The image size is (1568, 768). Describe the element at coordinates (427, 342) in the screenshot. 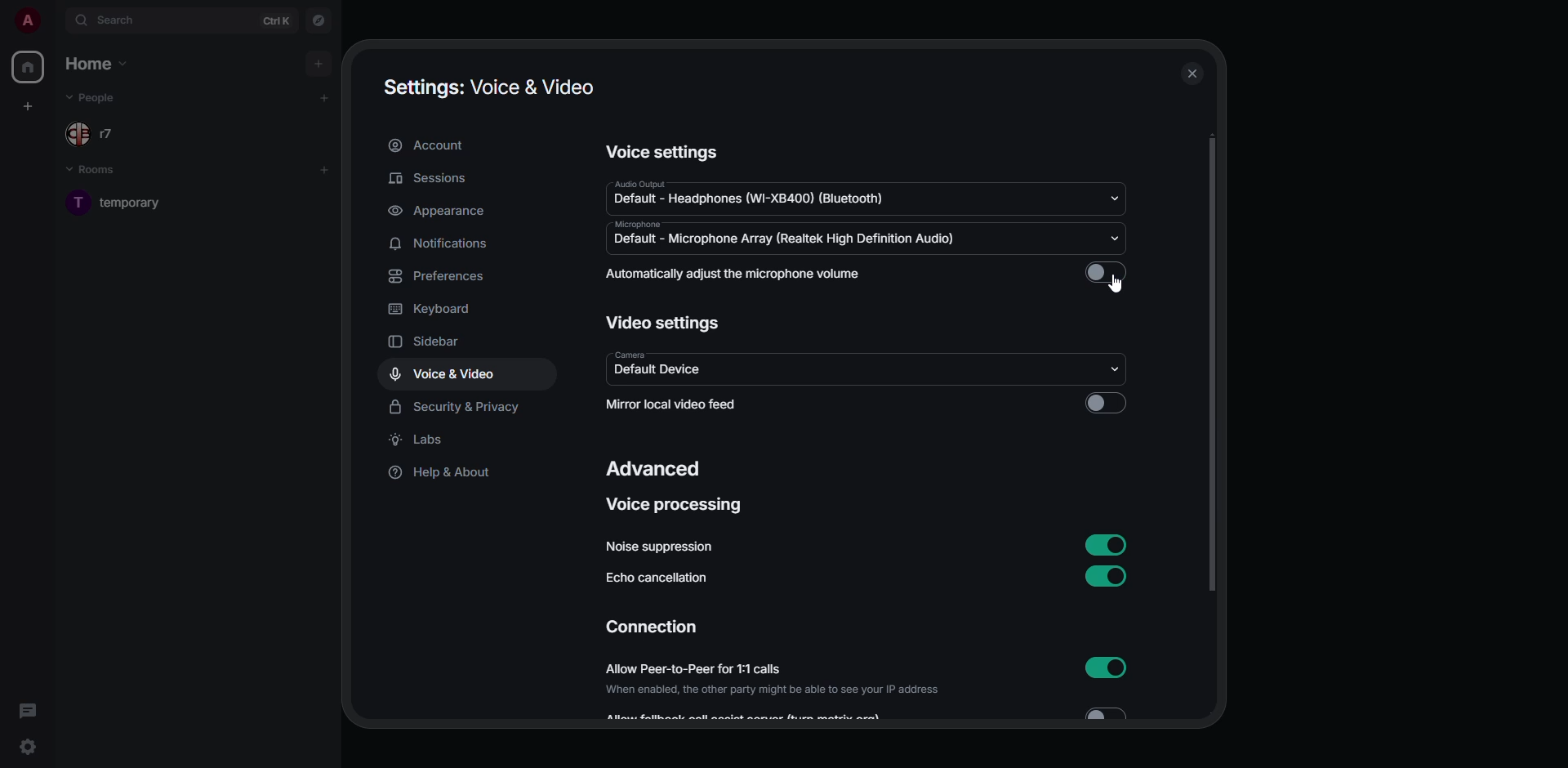

I see `sidebar` at that location.